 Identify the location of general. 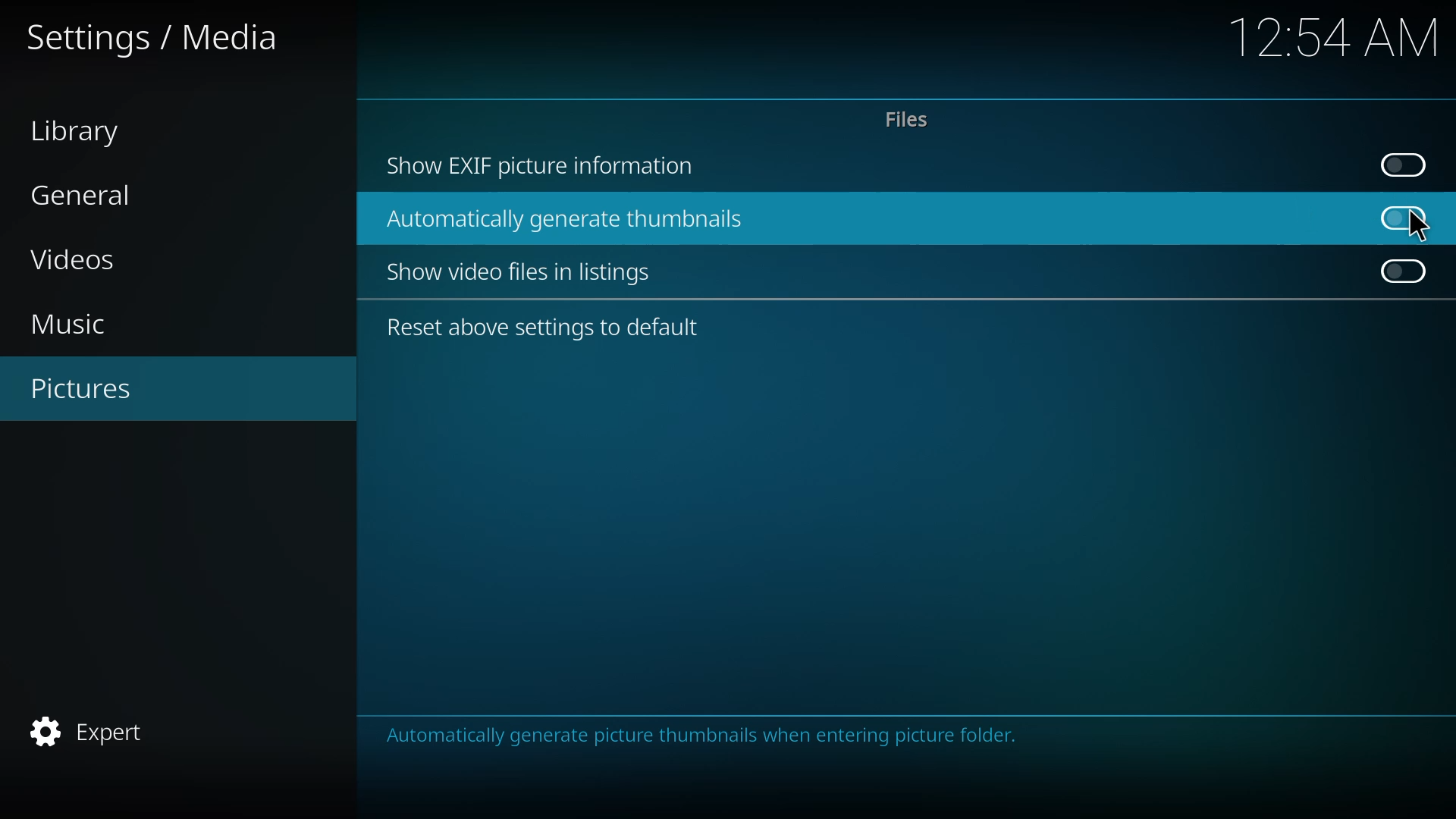
(89, 195).